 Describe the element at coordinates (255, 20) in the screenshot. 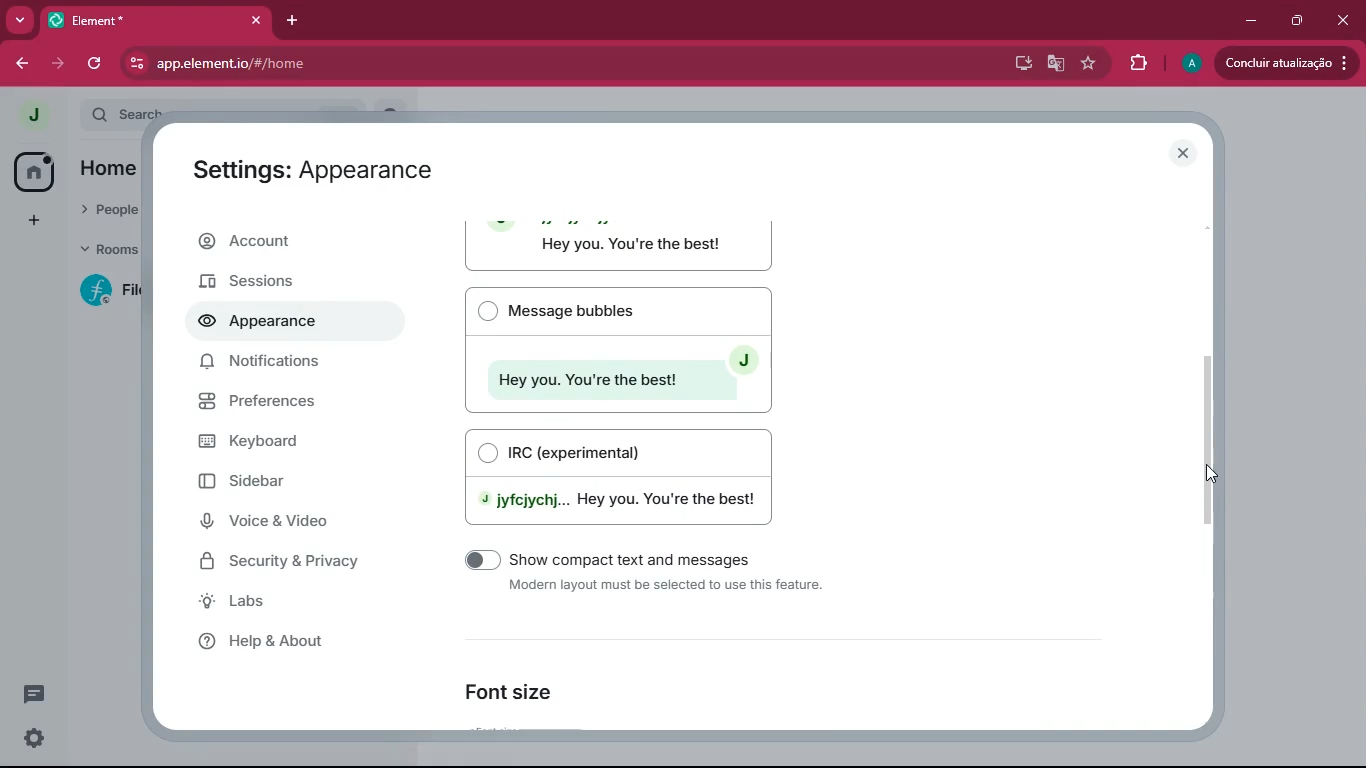

I see `close` at that location.